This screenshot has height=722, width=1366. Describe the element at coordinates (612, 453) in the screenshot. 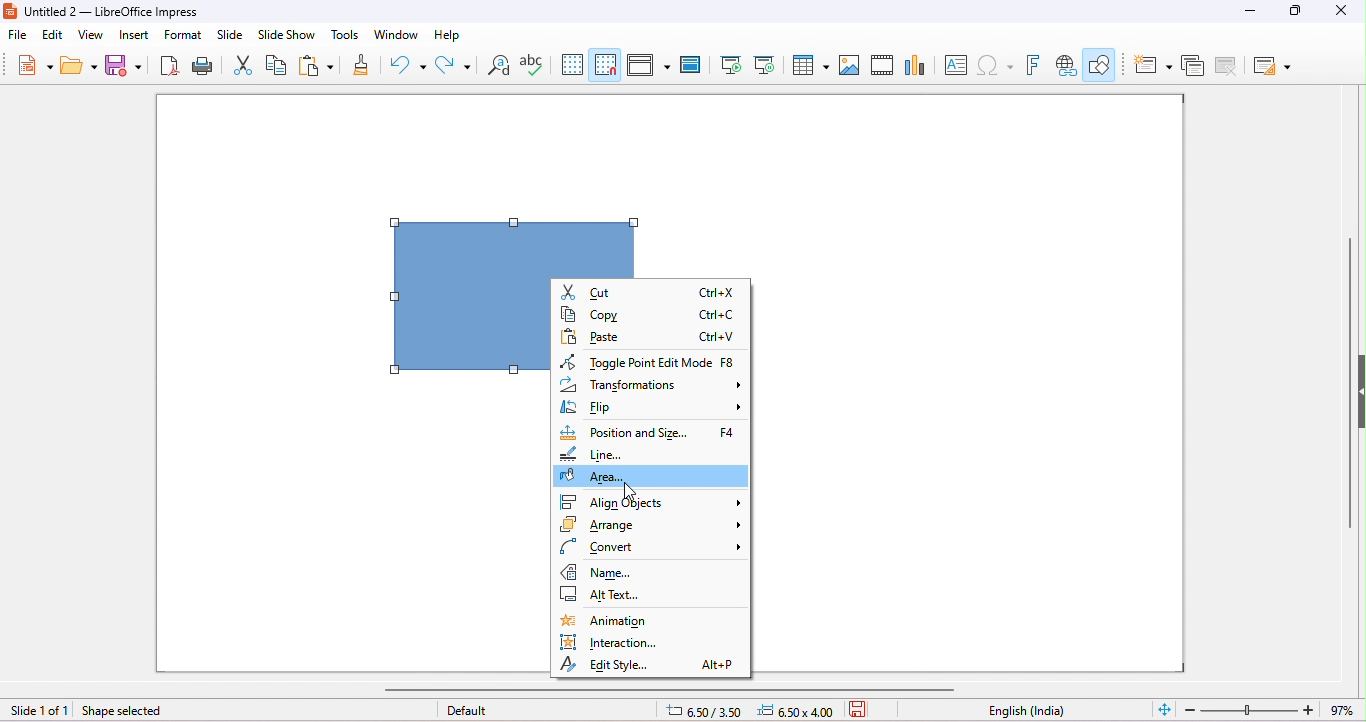

I see `line` at that location.